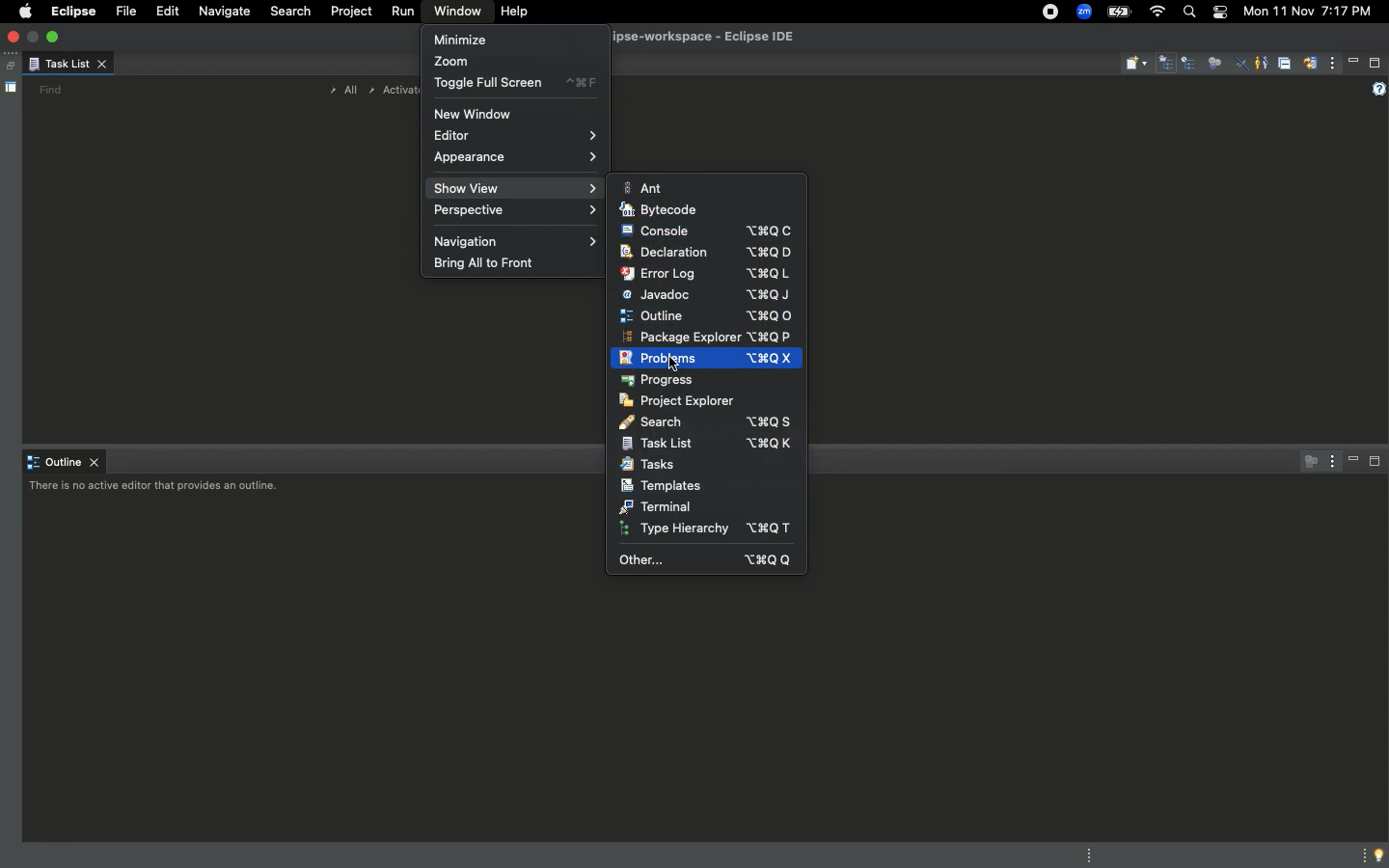  What do you see at coordinates (513, 212) in the screenshot?
I see `Perspective` at bounding box center [513, 212].